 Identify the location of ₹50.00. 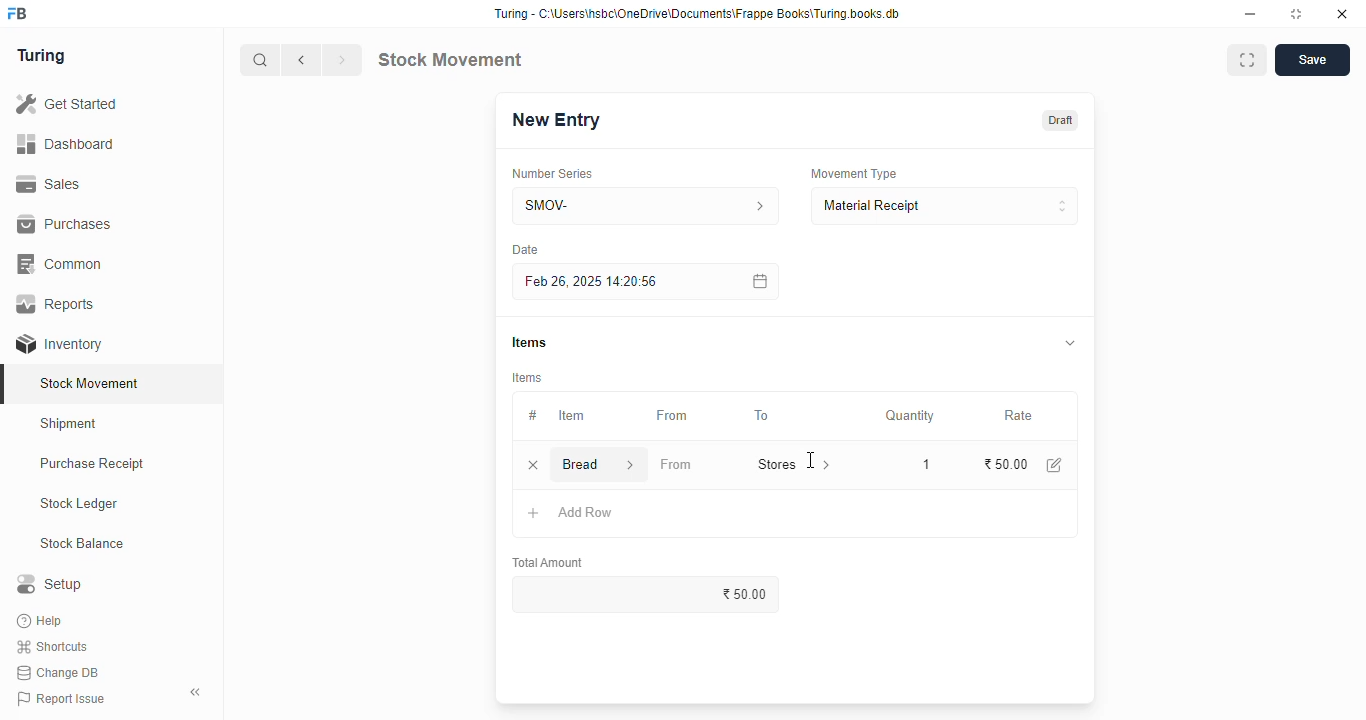
(650, 594).